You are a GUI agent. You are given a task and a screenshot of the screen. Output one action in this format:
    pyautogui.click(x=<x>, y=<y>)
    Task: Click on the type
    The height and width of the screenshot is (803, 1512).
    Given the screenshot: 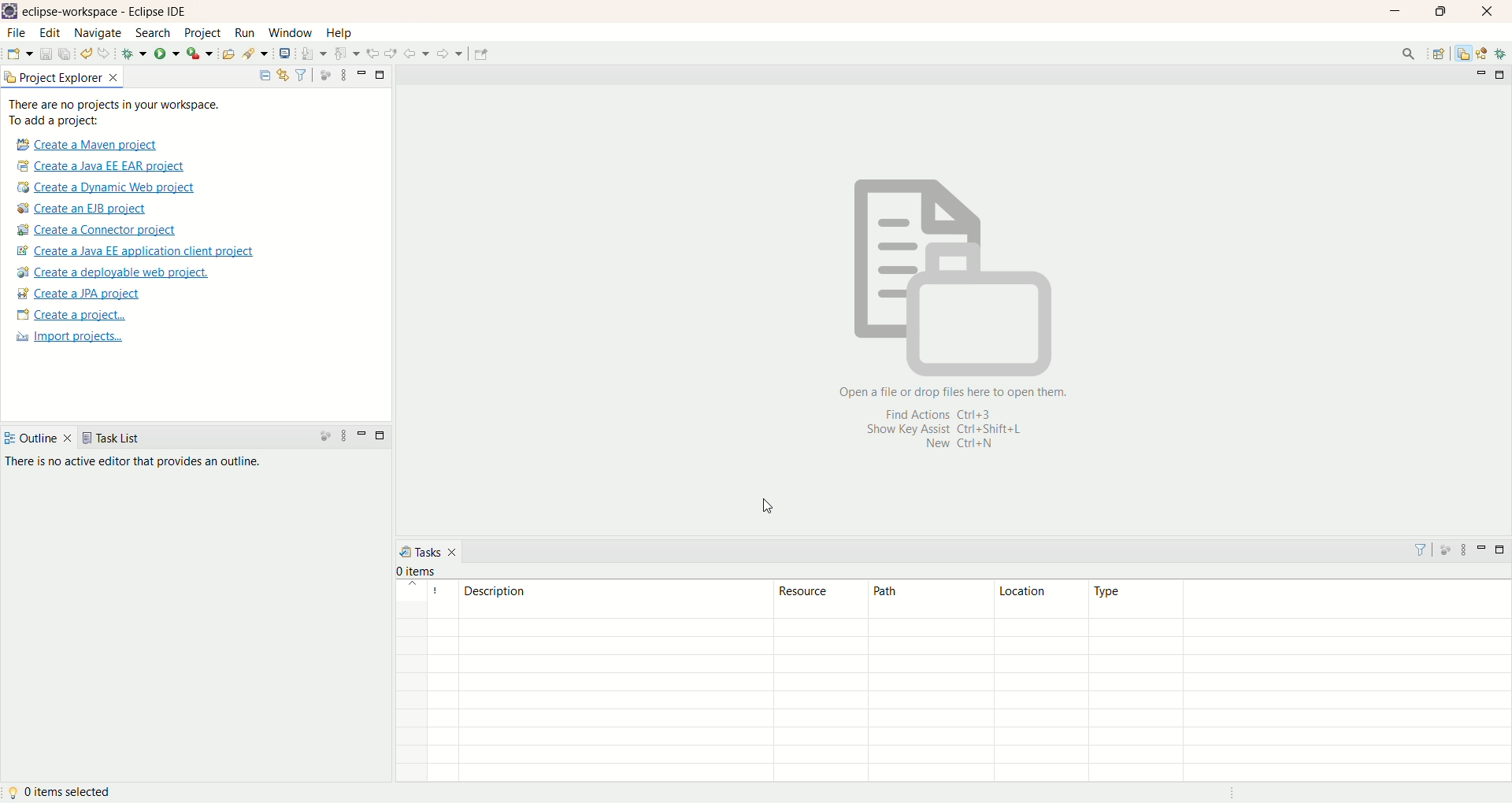 What is the action you would take?
    pyautogui.click(x=1302, y=680)
    